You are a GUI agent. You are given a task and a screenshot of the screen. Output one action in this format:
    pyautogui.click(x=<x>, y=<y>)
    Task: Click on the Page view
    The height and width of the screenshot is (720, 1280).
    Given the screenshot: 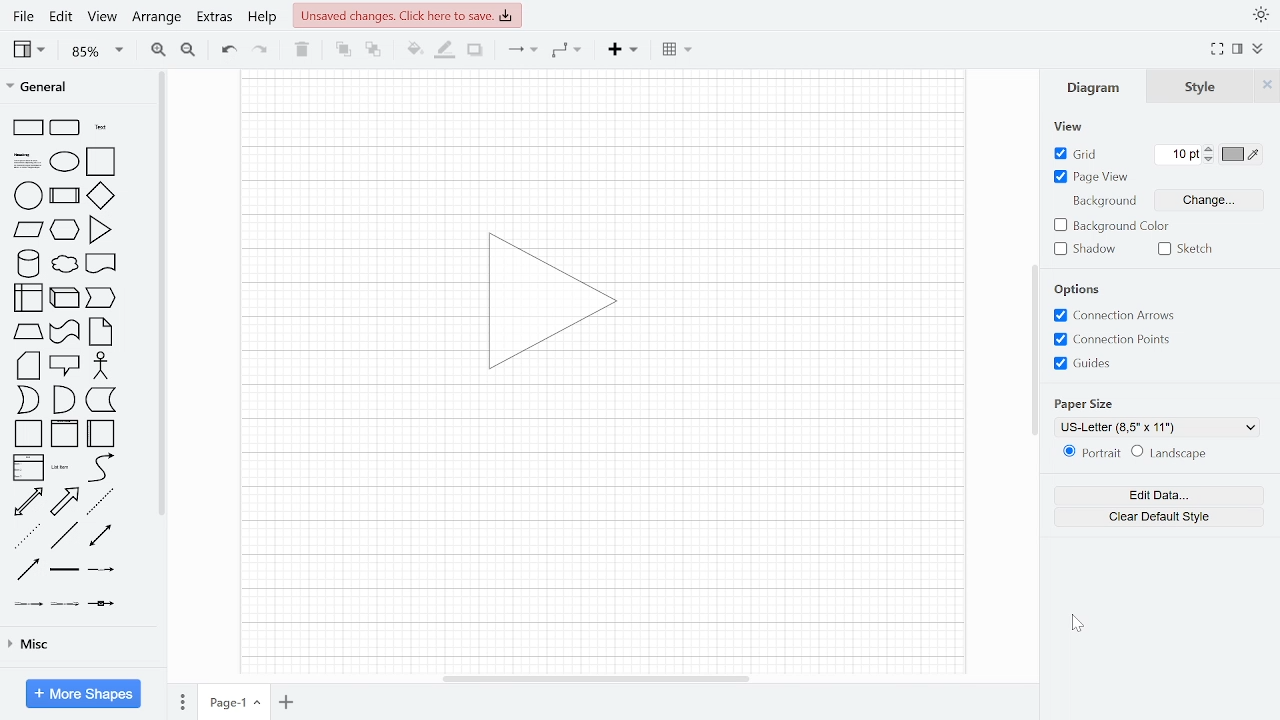 What is the action you would take?
    pyautogui.click(x=1091, y=177)
    